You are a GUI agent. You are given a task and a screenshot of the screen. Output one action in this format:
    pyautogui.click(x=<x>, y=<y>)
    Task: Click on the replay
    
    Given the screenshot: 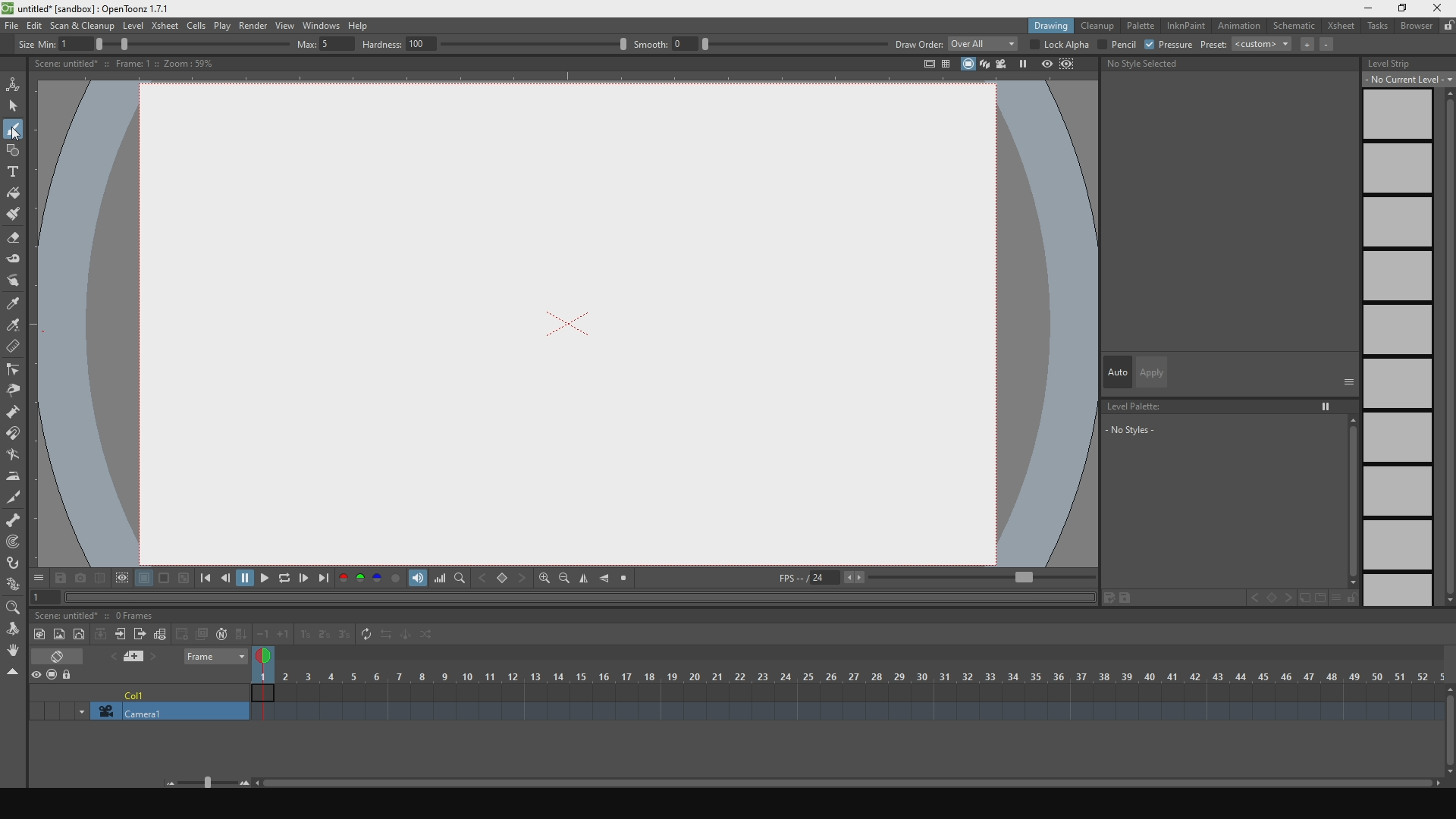 What is the action you would take?
    pyautogui.click(x=287, y=582)
    